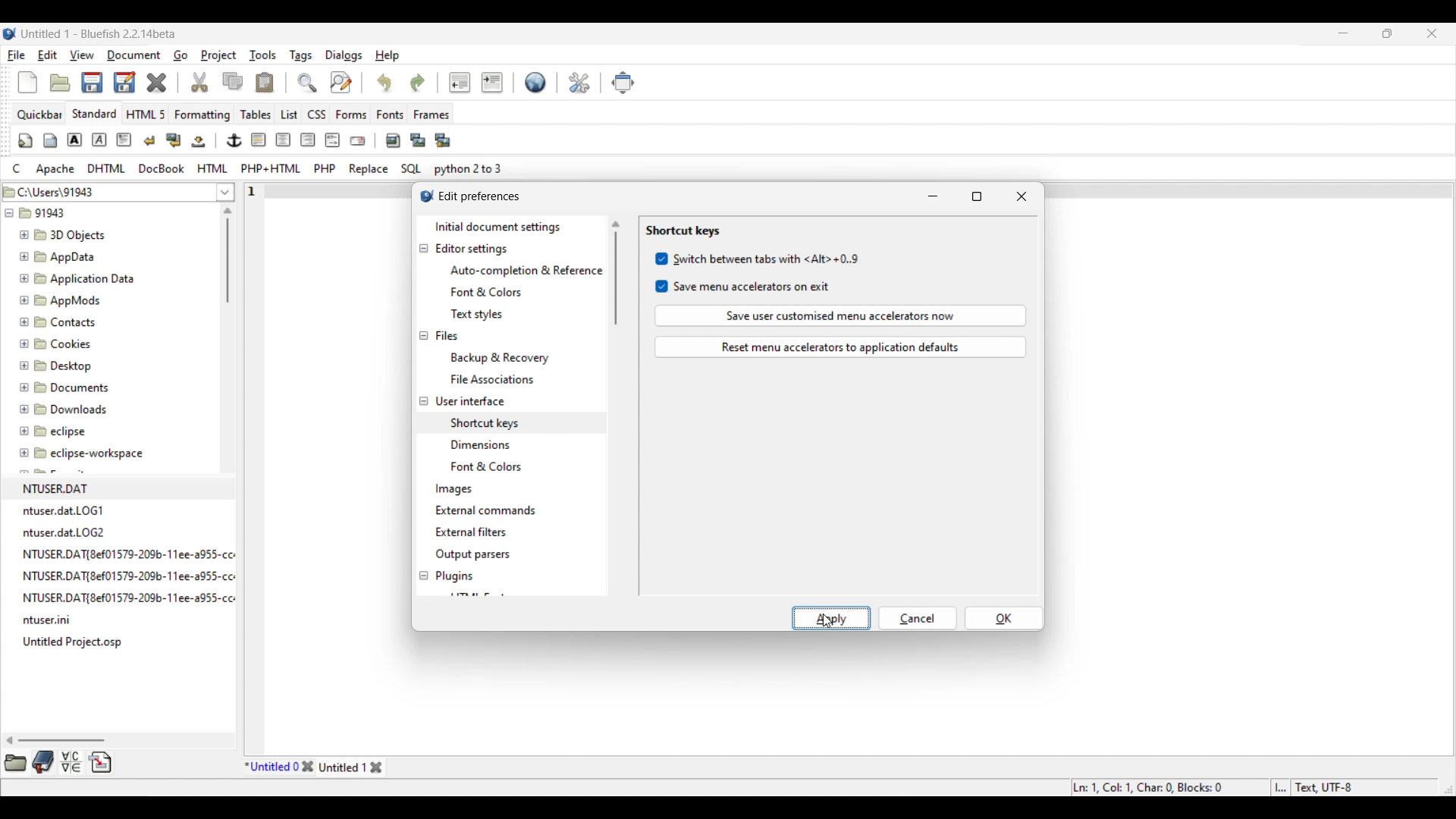 The image size is (1456, 819). I want to click on ntuser.dat.LOG1, so click(65, 510).